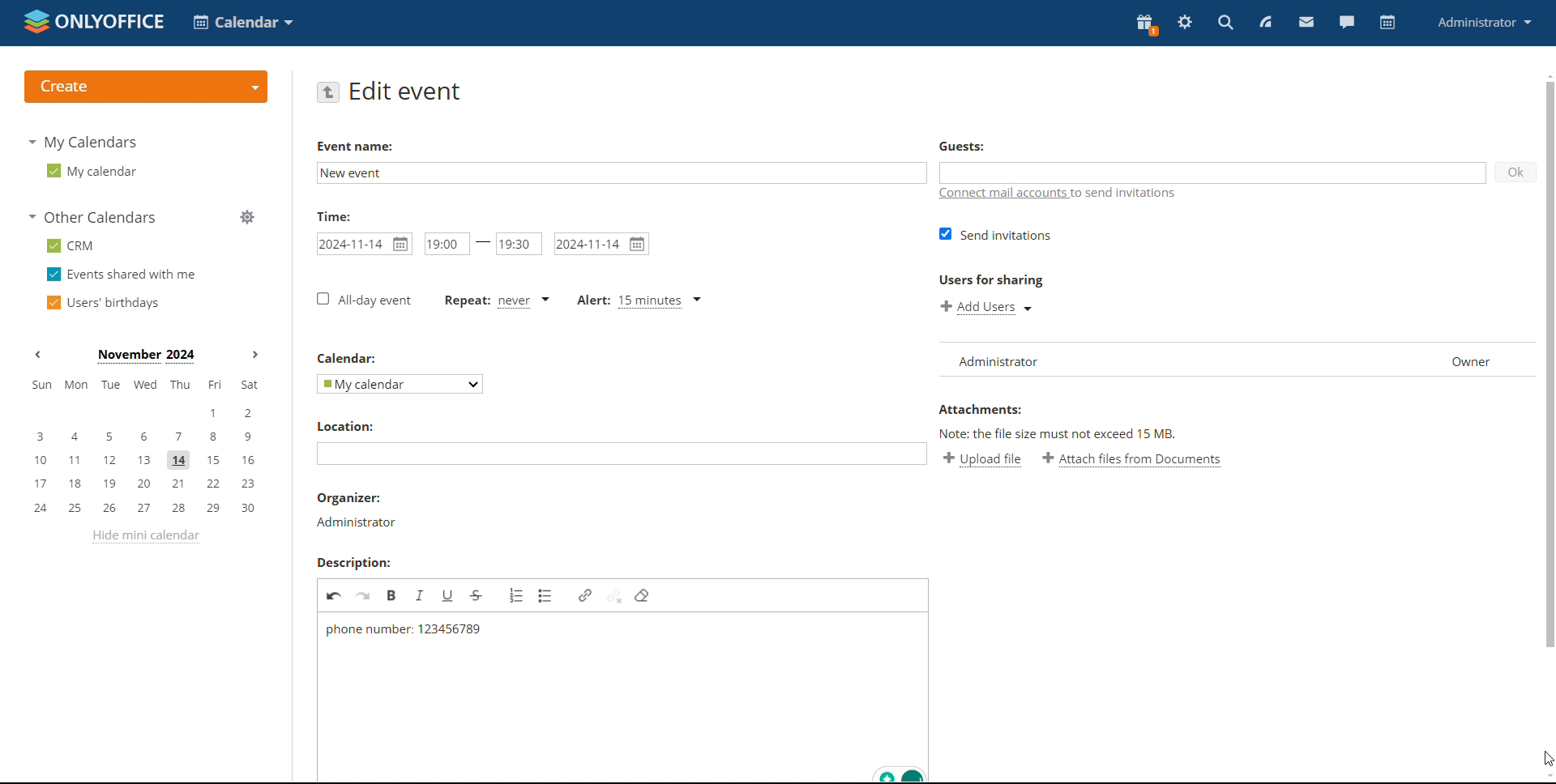 This screenshot has width=1556, height=784. I want to click on start date, so click(363, 244).